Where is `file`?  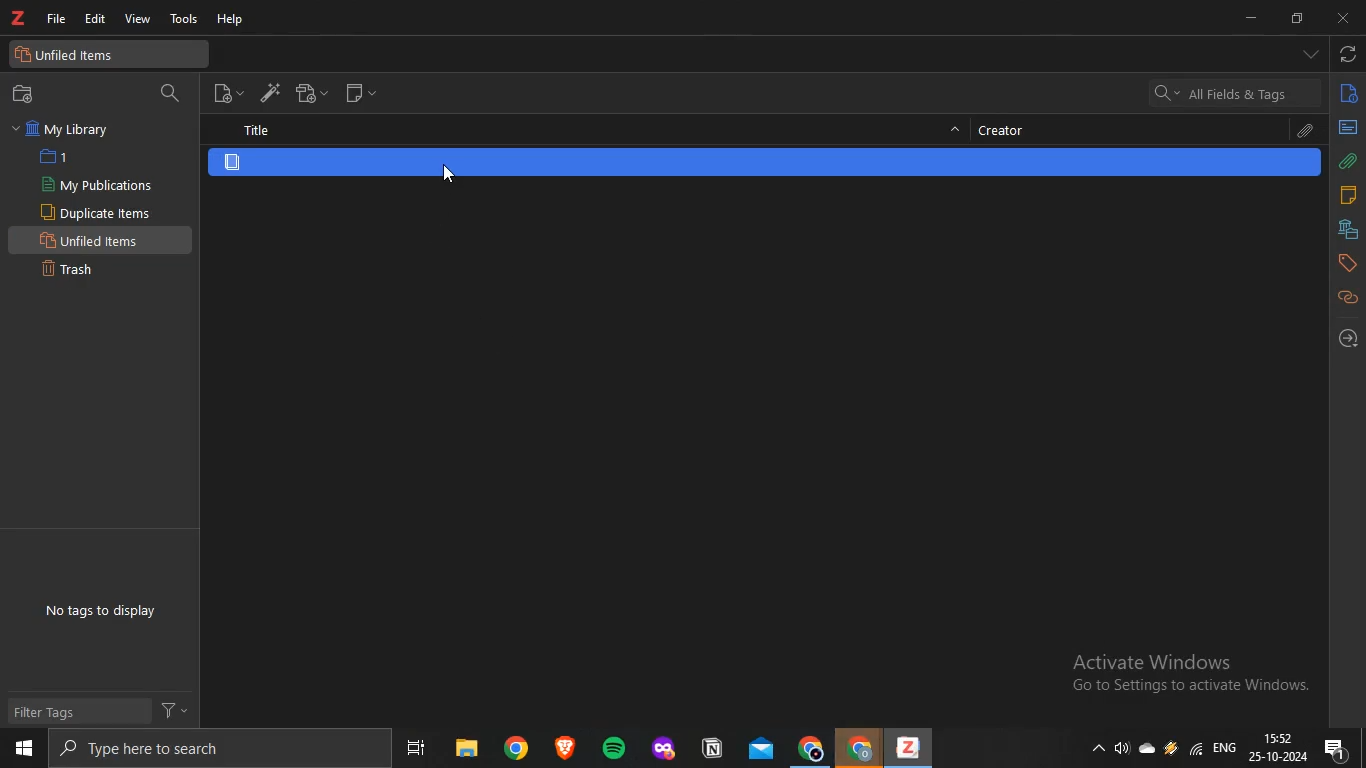
file is located at coordinates (59, 18).